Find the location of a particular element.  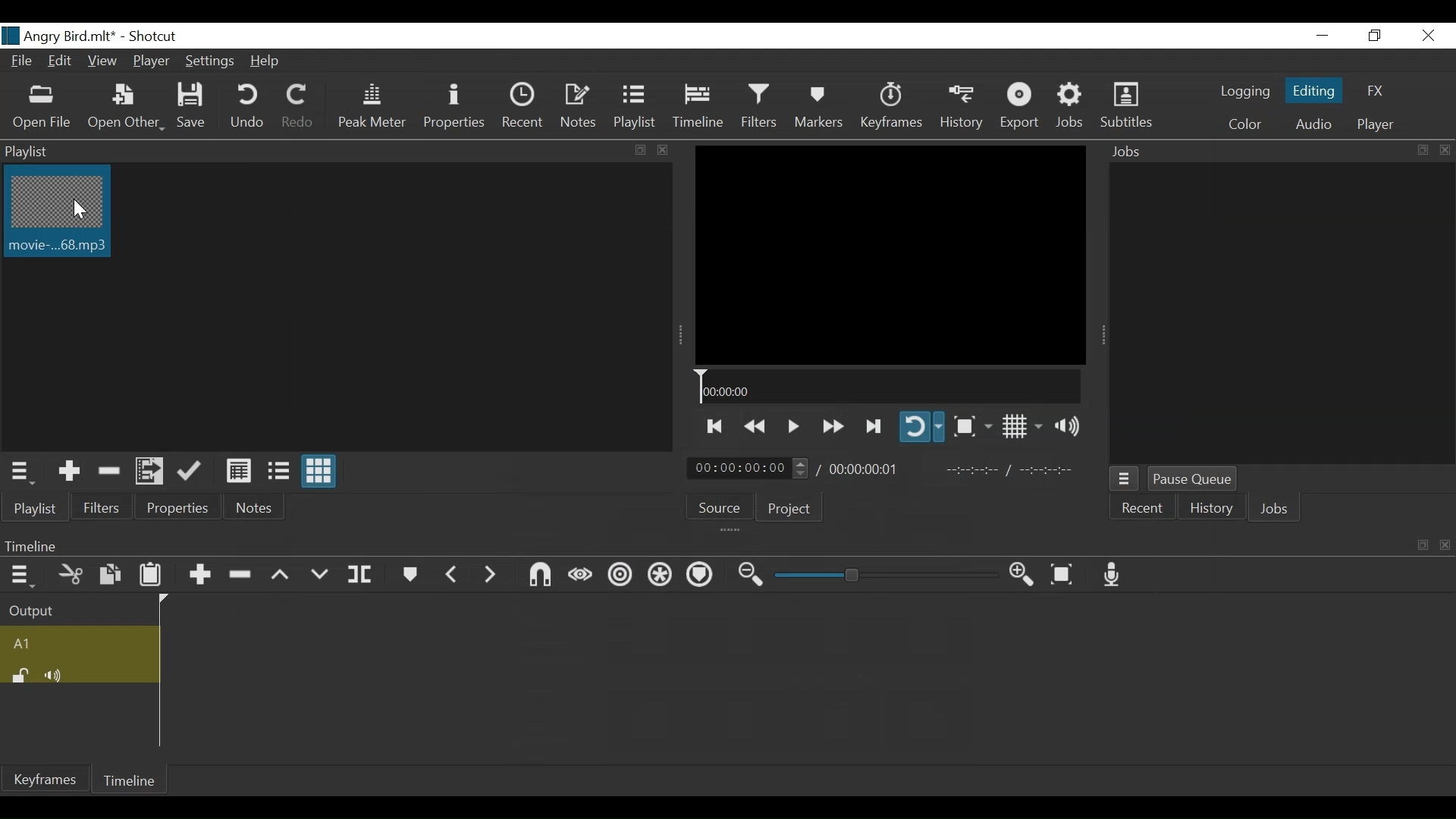

(un)lock track is located at coordinates (20, 675).